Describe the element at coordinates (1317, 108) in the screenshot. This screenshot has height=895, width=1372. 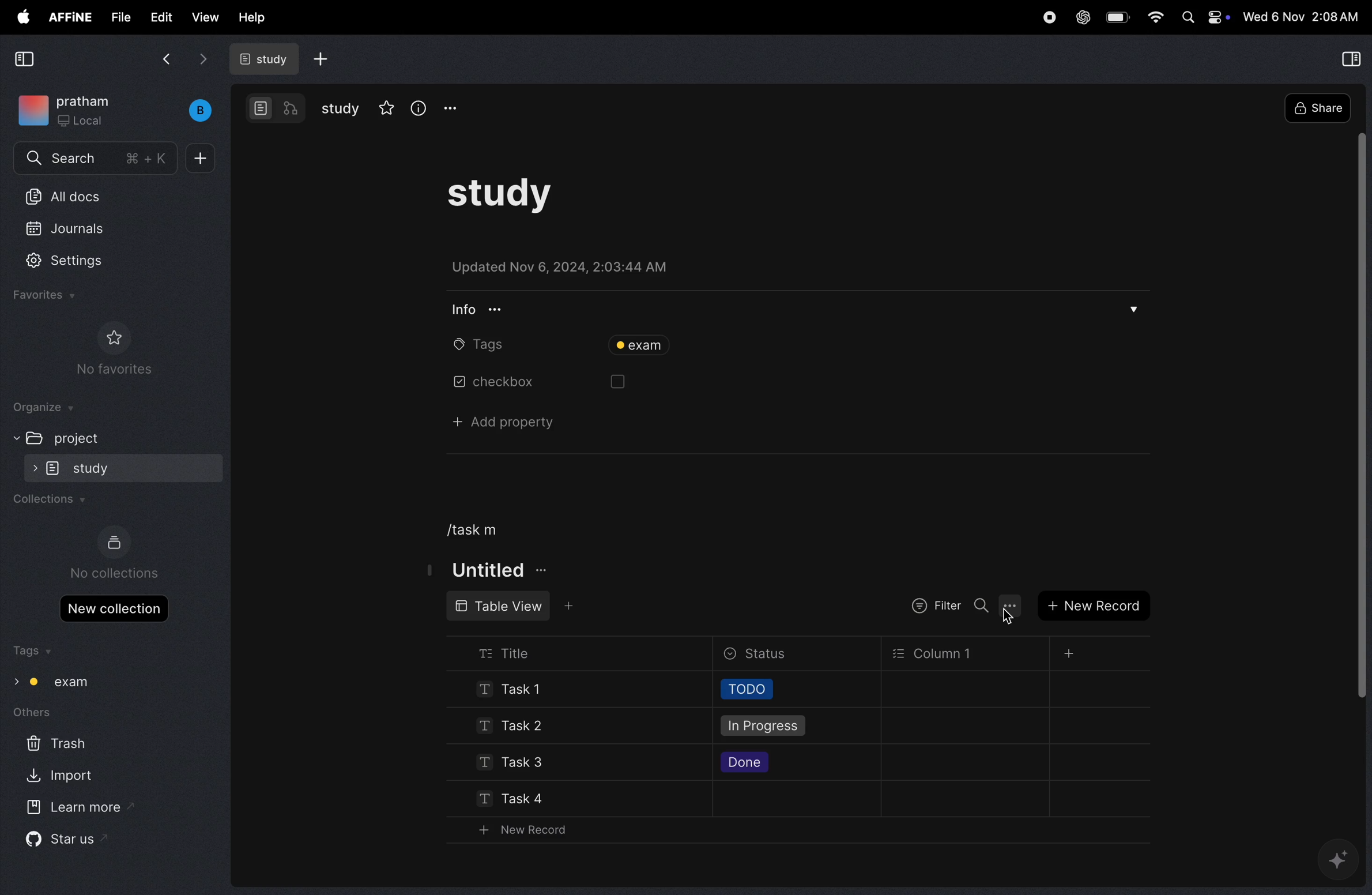
I see `share` at that location.